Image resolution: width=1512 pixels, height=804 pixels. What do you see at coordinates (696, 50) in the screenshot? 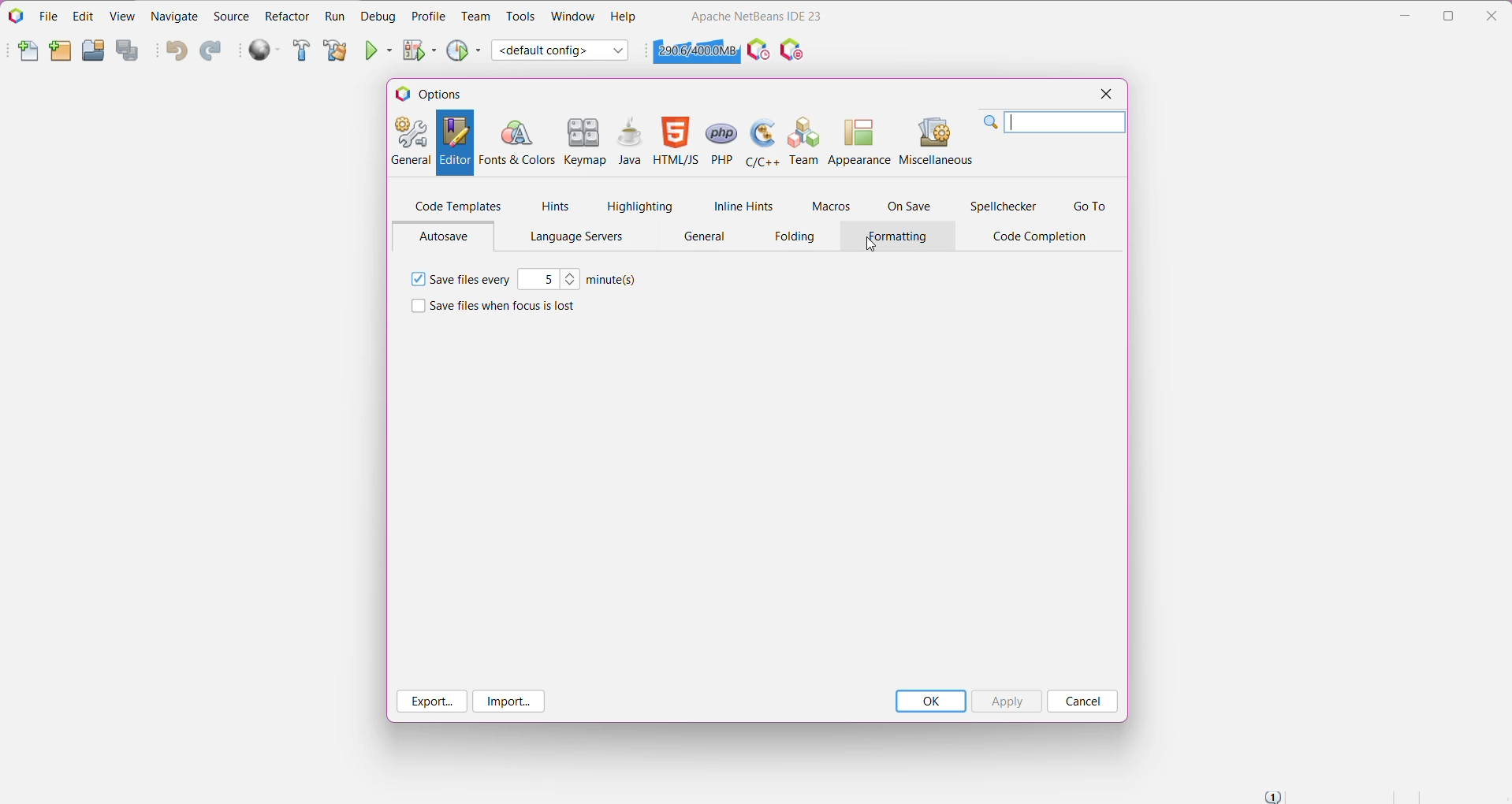
I see `Click to force garbage collection` at bounding box center [696, 50].